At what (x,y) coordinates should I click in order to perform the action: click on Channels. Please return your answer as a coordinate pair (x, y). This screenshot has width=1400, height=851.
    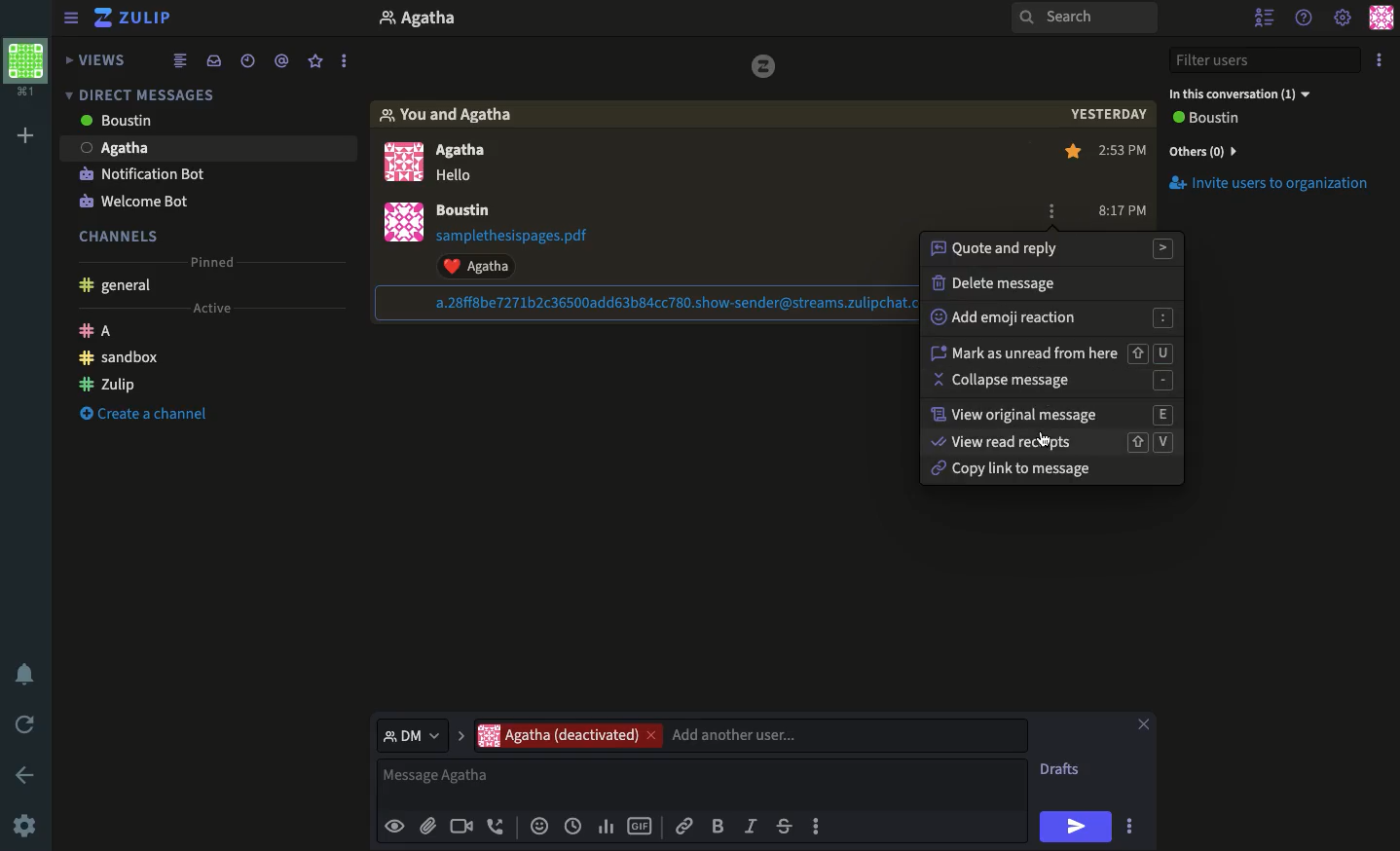
    Looking at the image, I should click on (126, 234).